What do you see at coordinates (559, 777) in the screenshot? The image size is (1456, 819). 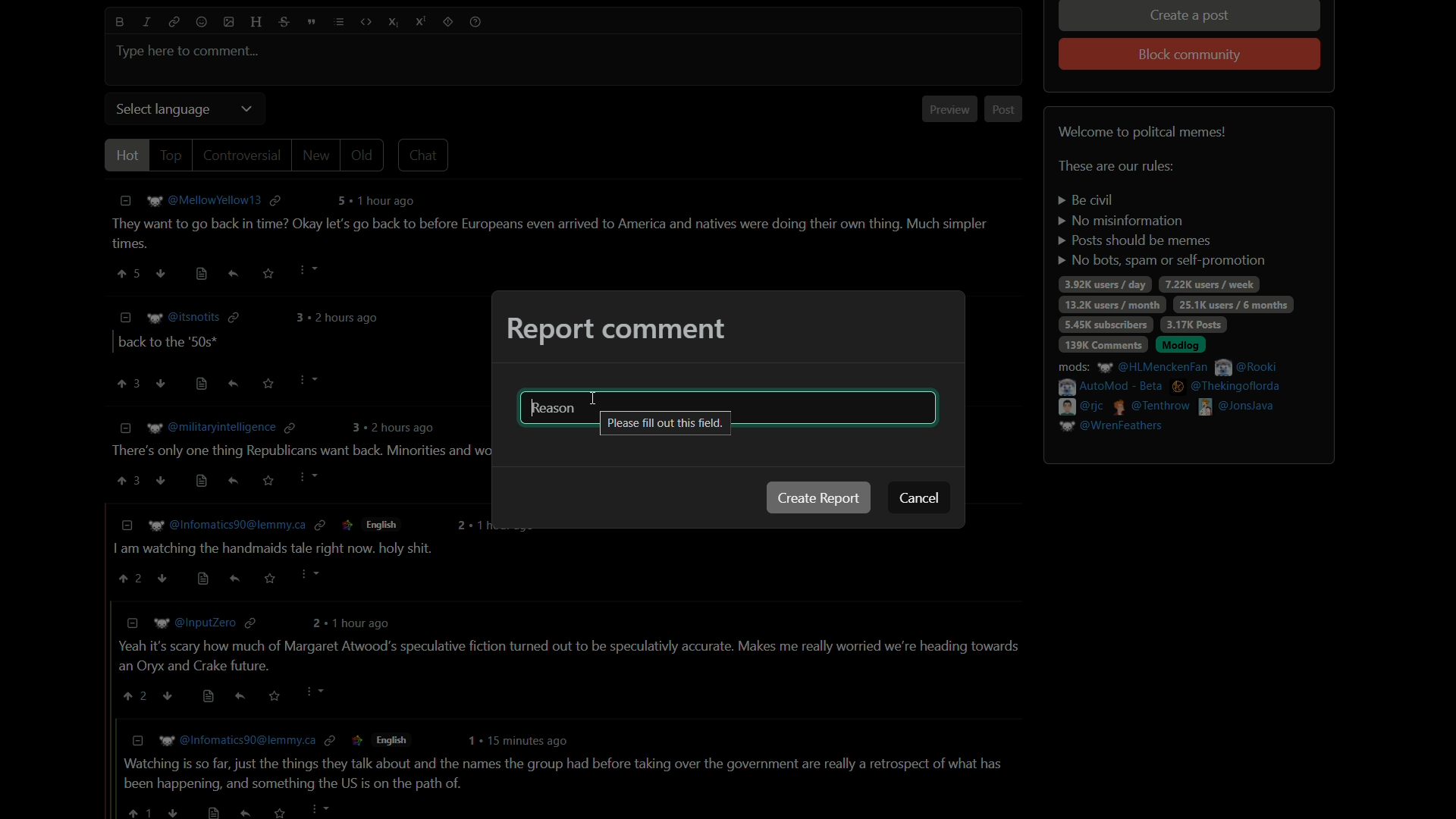 I see `comment-6` at bounding box center [559, 777].